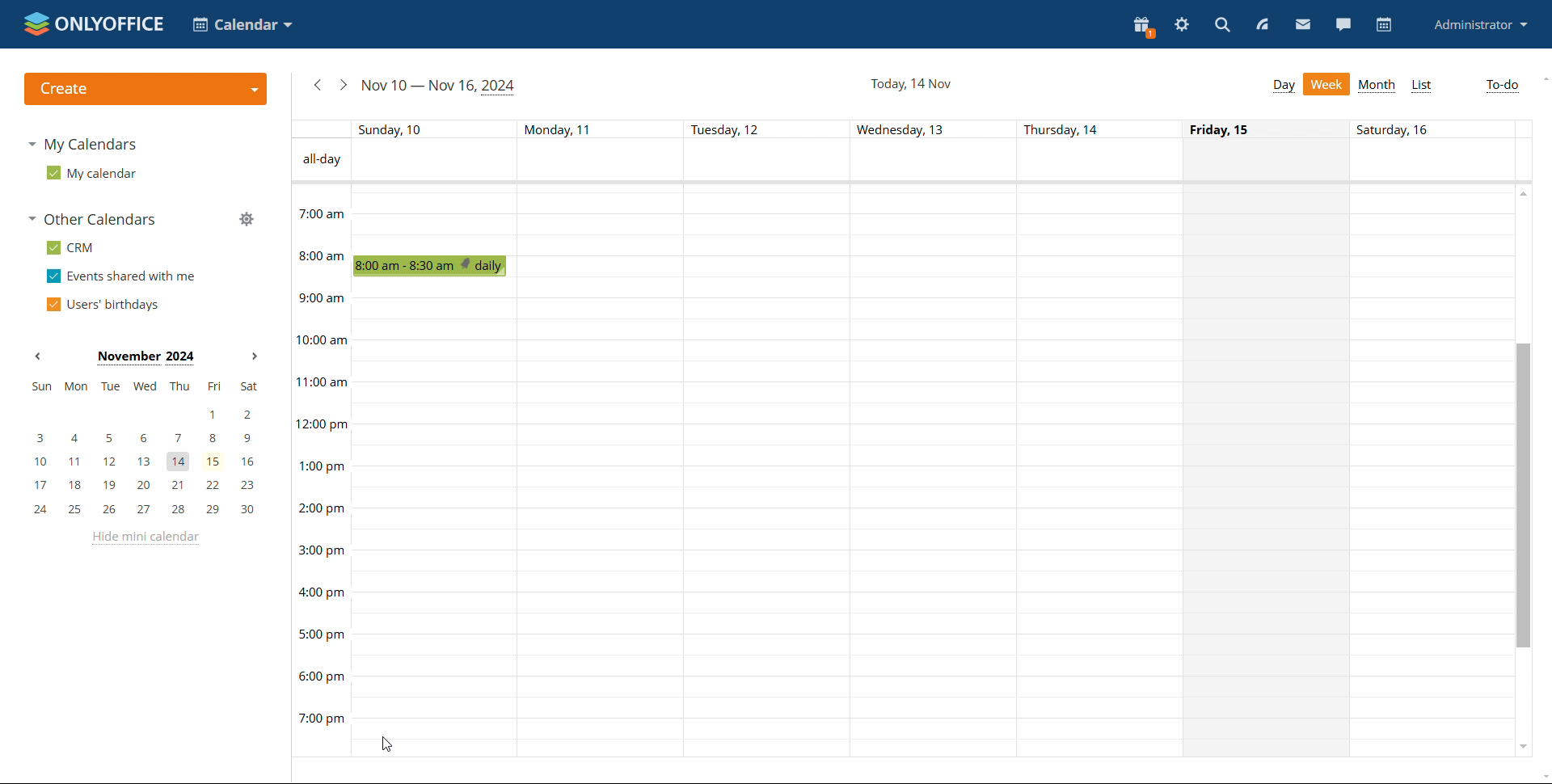  What do you see at coordinates (1343, 24) in the screenshot?
I see `chat` at bounding box center [1343, 24].